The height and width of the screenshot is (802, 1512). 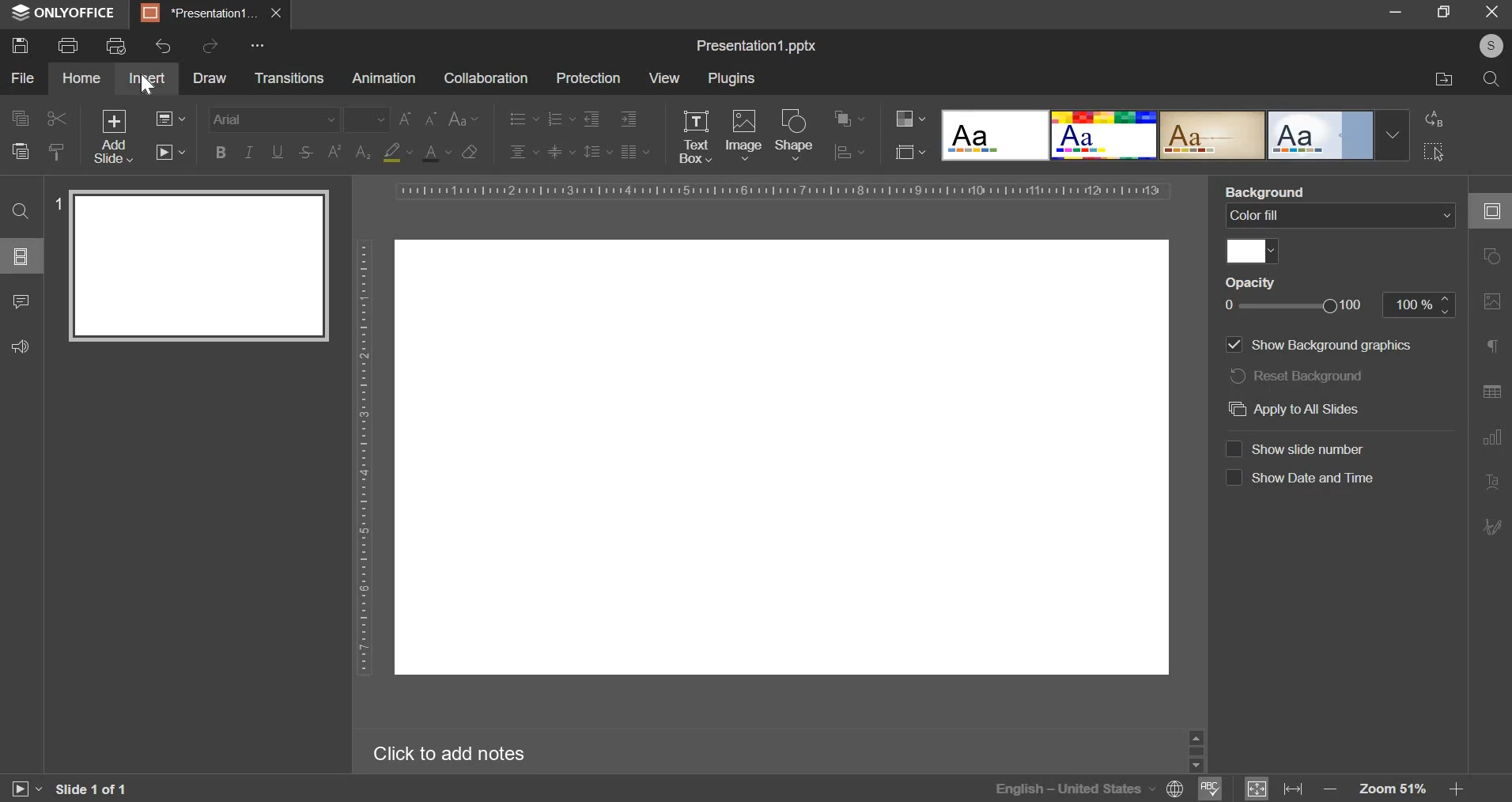 What do you see at coordinates (1489, 208) in the screenshot?
I see `slide settings` at bounding box center [1489, 208].